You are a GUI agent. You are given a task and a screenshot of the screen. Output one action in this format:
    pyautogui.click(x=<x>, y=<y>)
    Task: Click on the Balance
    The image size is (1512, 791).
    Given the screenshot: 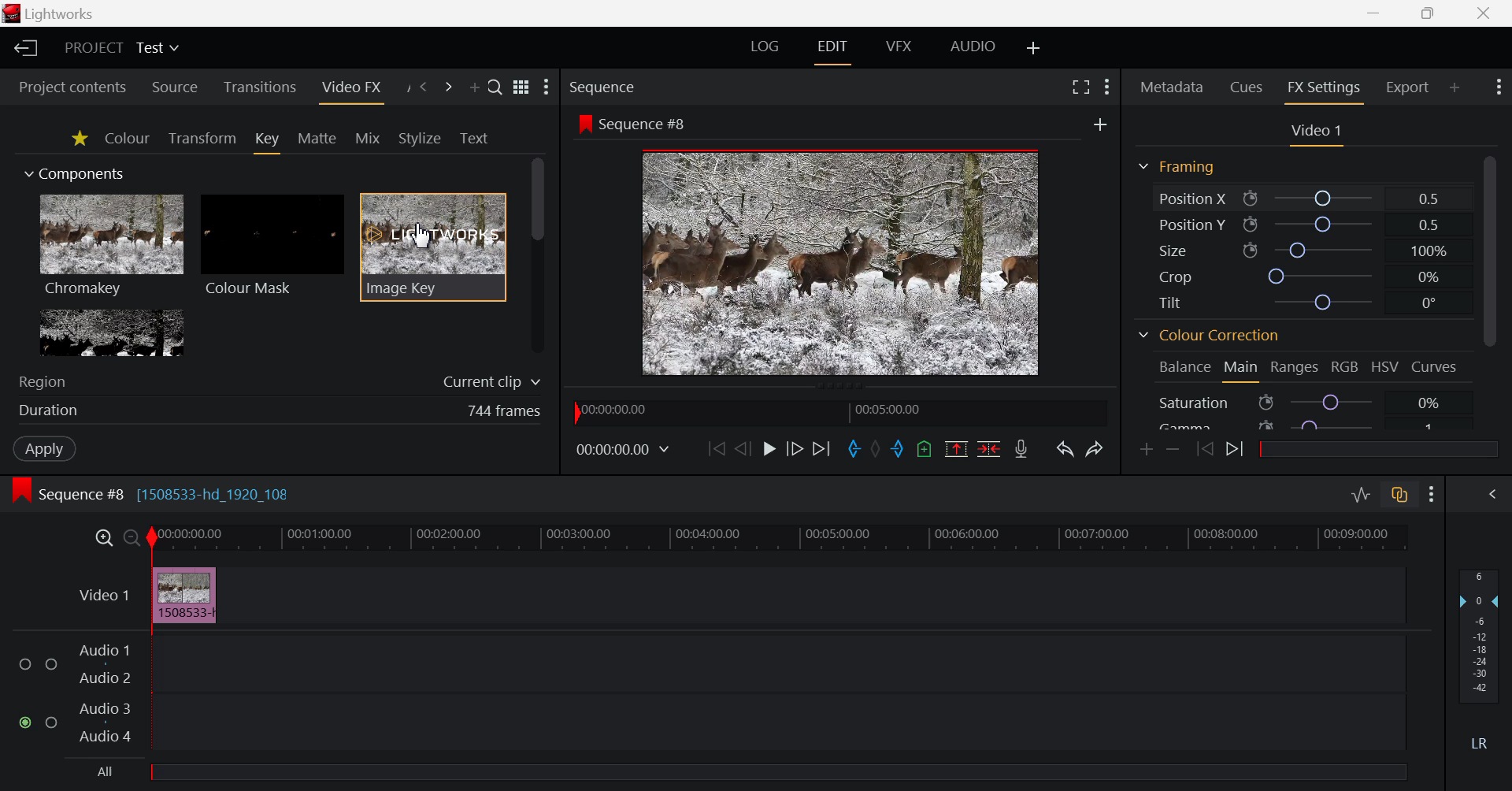 What is the action you would take?
    pyautogui.click(x=1187, y=366)
    